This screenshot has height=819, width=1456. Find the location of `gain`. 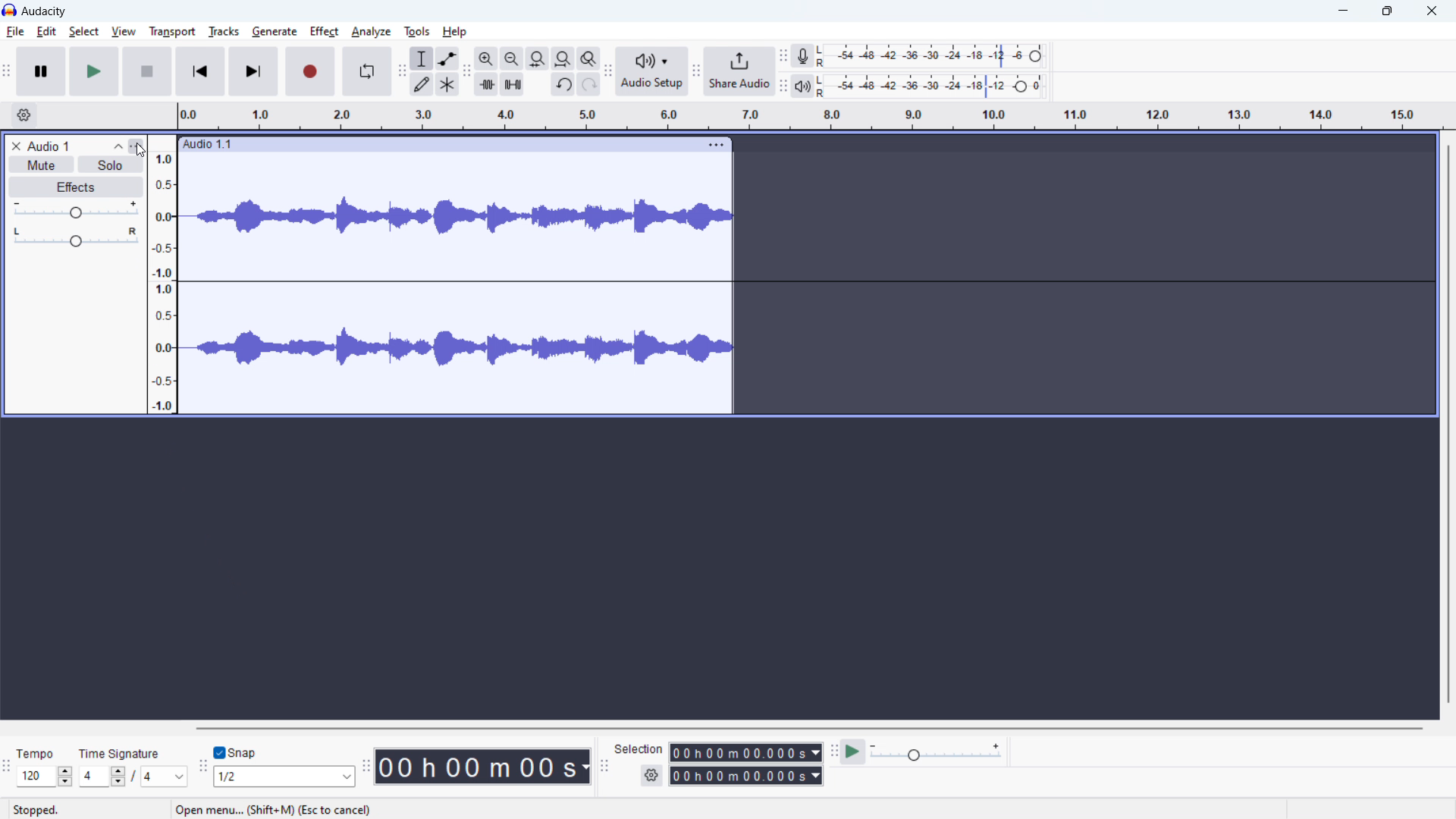

gain is located at coordinates (76, 210).